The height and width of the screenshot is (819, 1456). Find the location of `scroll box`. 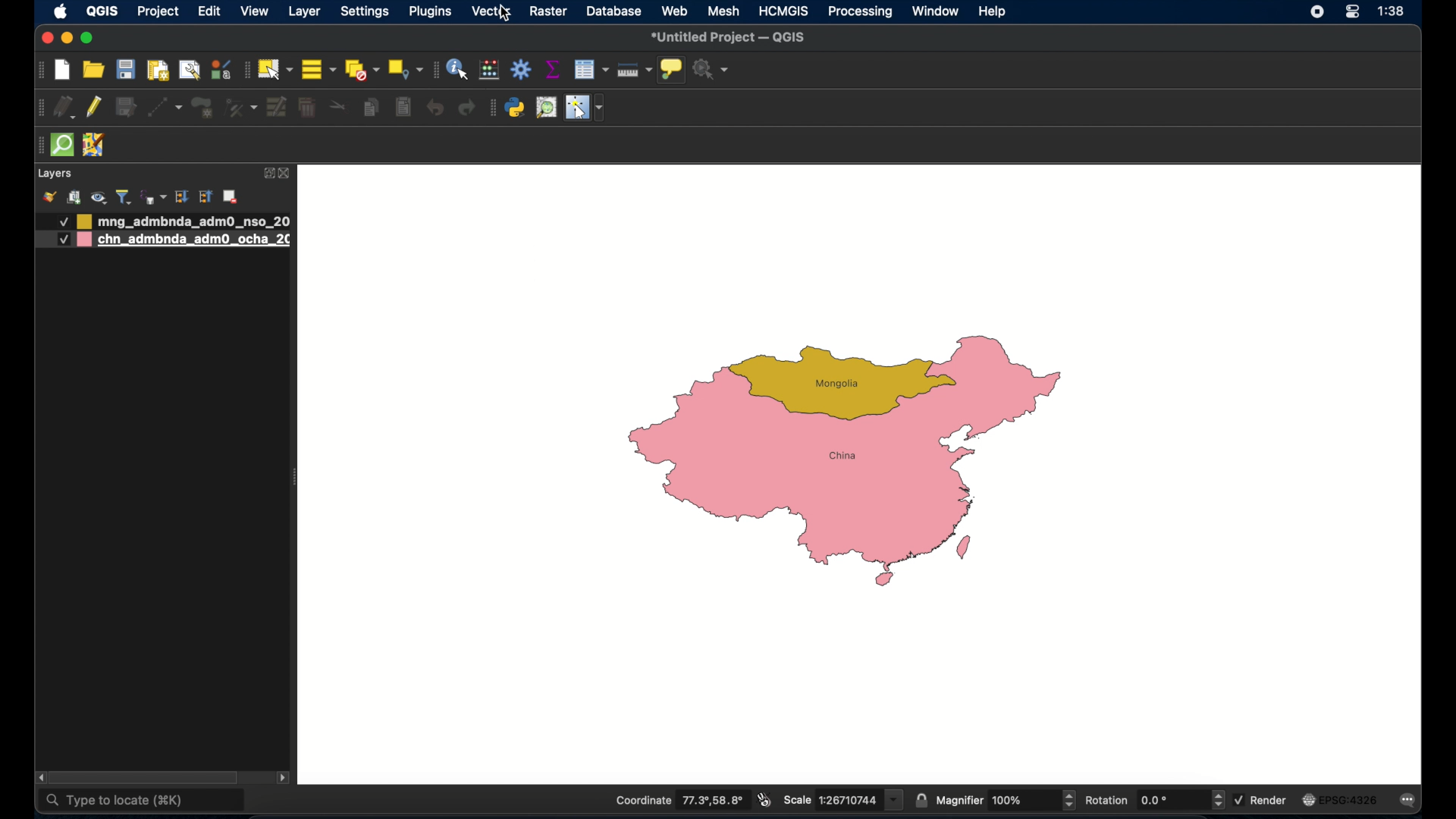

scroll box is located at coordinates (148, 777).